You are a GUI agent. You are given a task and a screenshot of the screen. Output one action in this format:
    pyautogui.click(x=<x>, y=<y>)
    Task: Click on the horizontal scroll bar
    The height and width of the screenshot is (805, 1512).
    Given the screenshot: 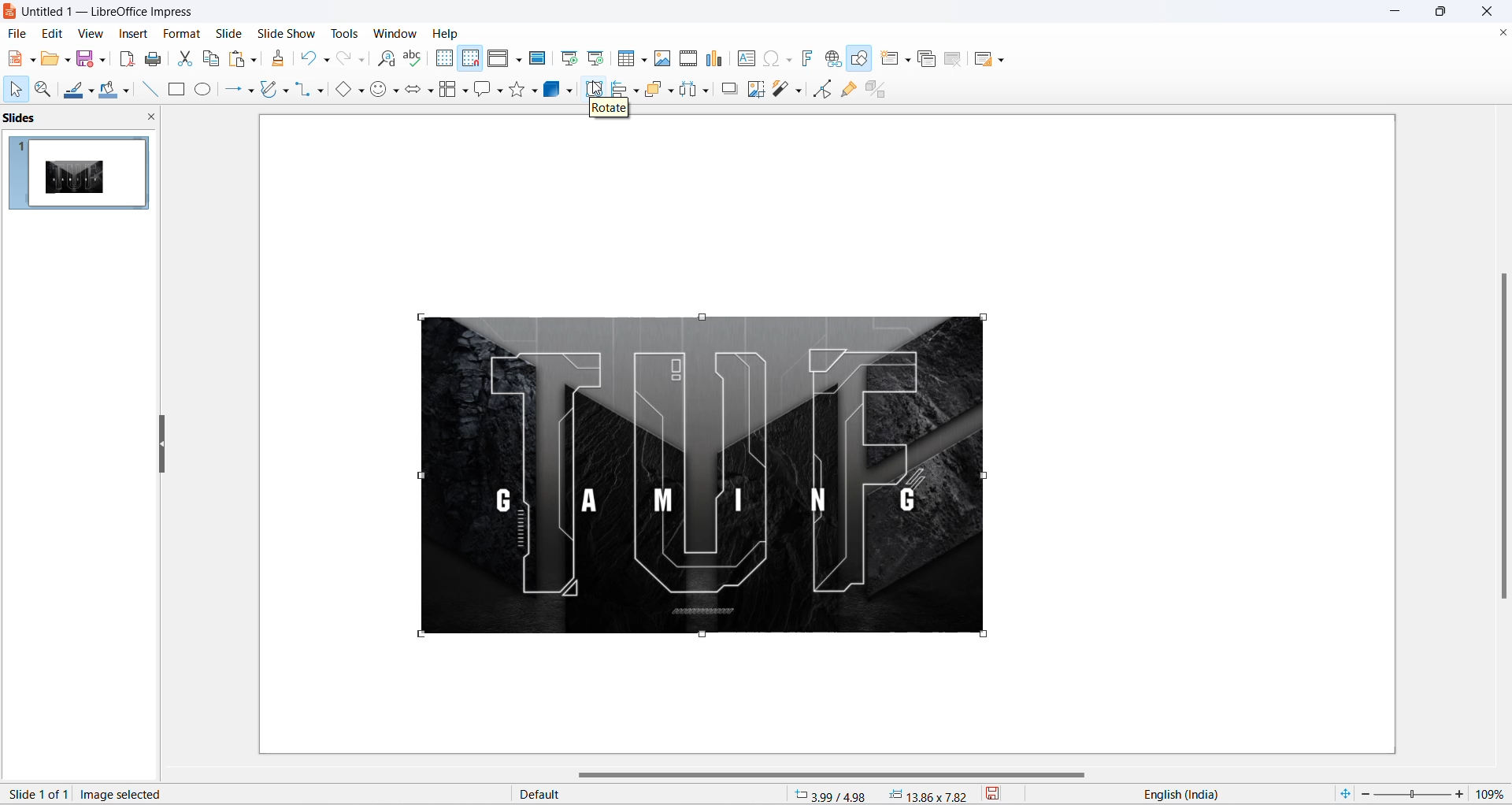 What is the action you would take?
    pyautogui.click(x=836, y=776)
    